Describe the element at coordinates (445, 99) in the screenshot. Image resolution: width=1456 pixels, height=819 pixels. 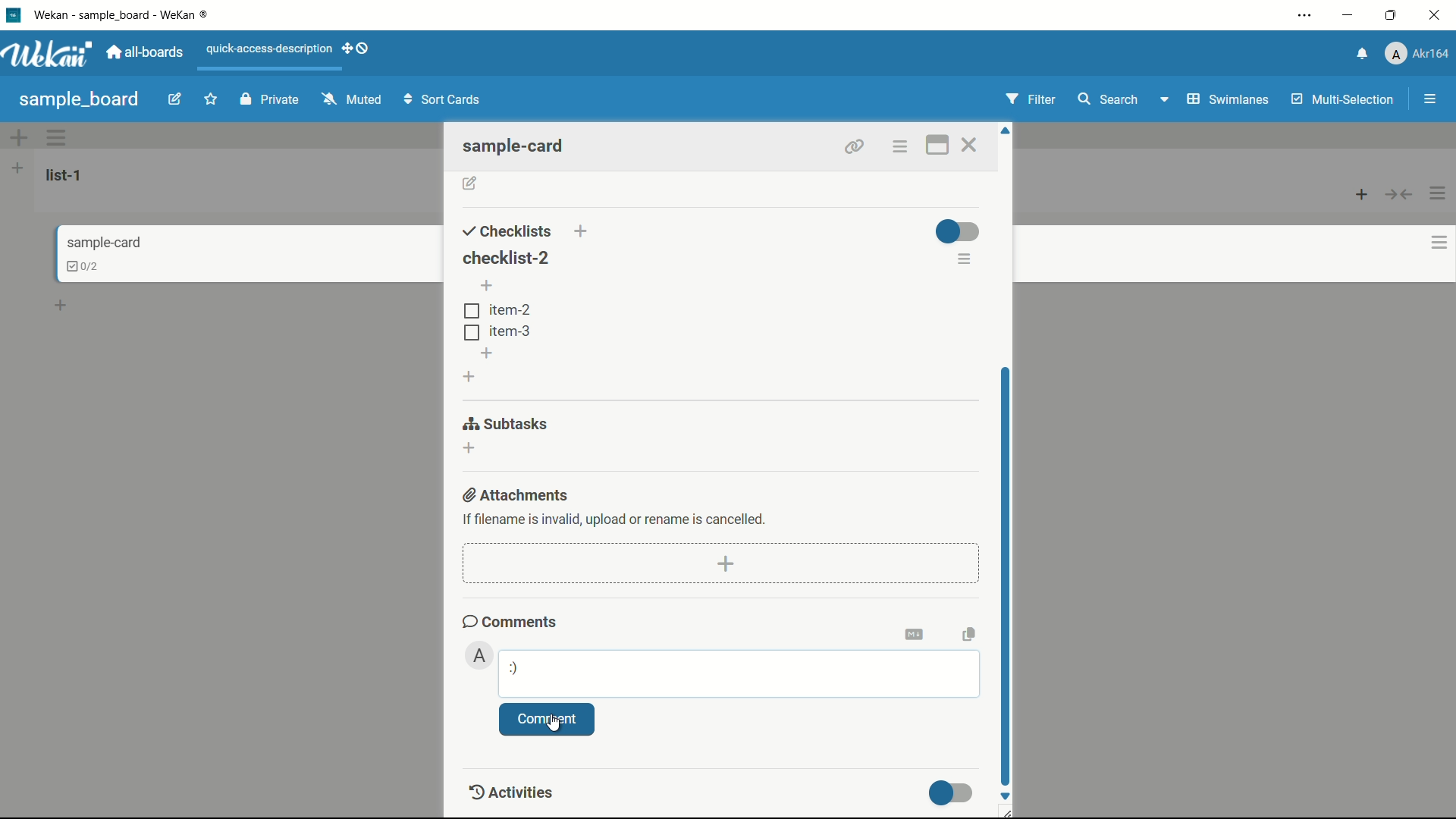
I see `Sort Cards` at that location.